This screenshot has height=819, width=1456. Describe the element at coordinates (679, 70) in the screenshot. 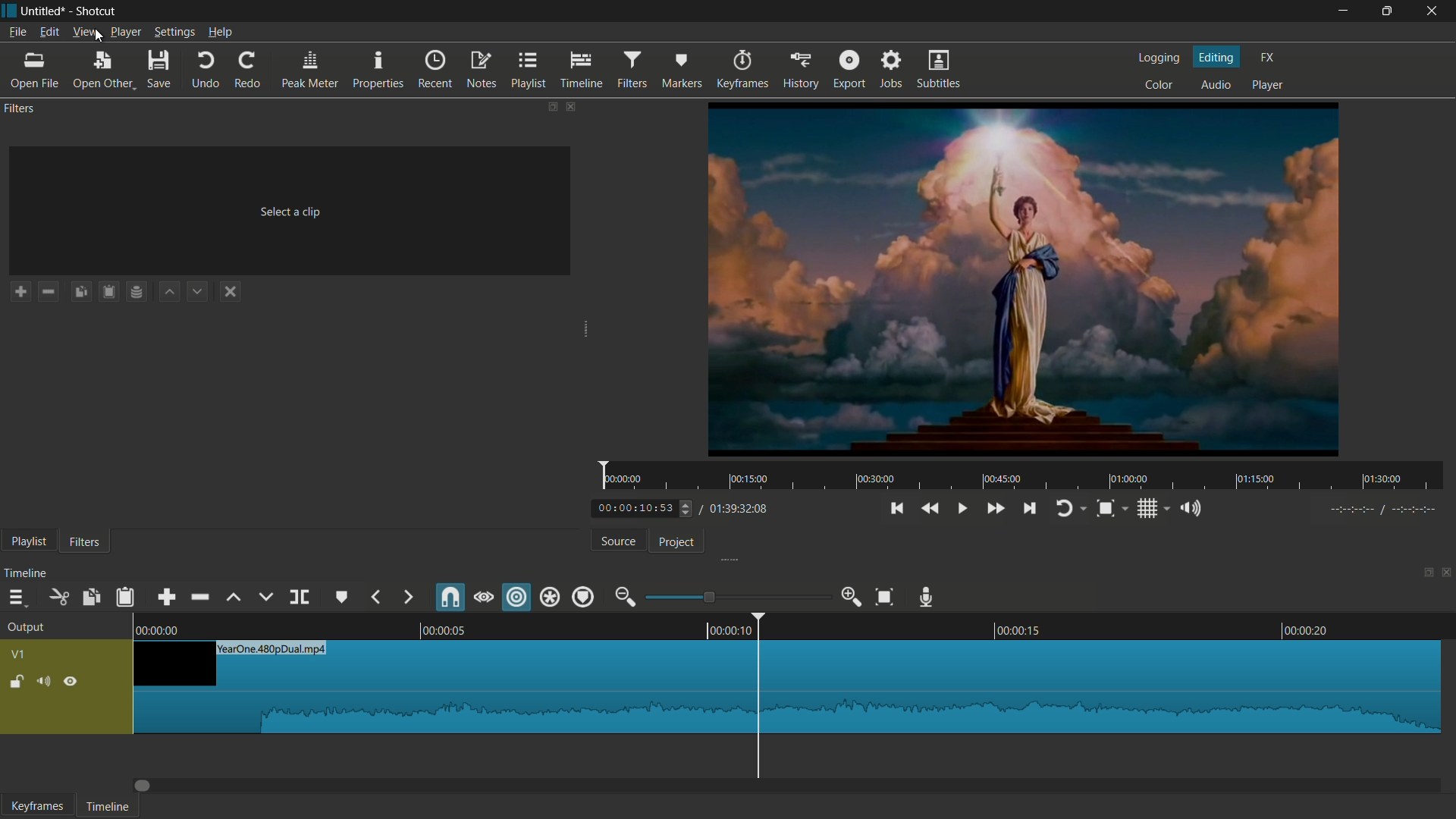

I see `markers` at that location.